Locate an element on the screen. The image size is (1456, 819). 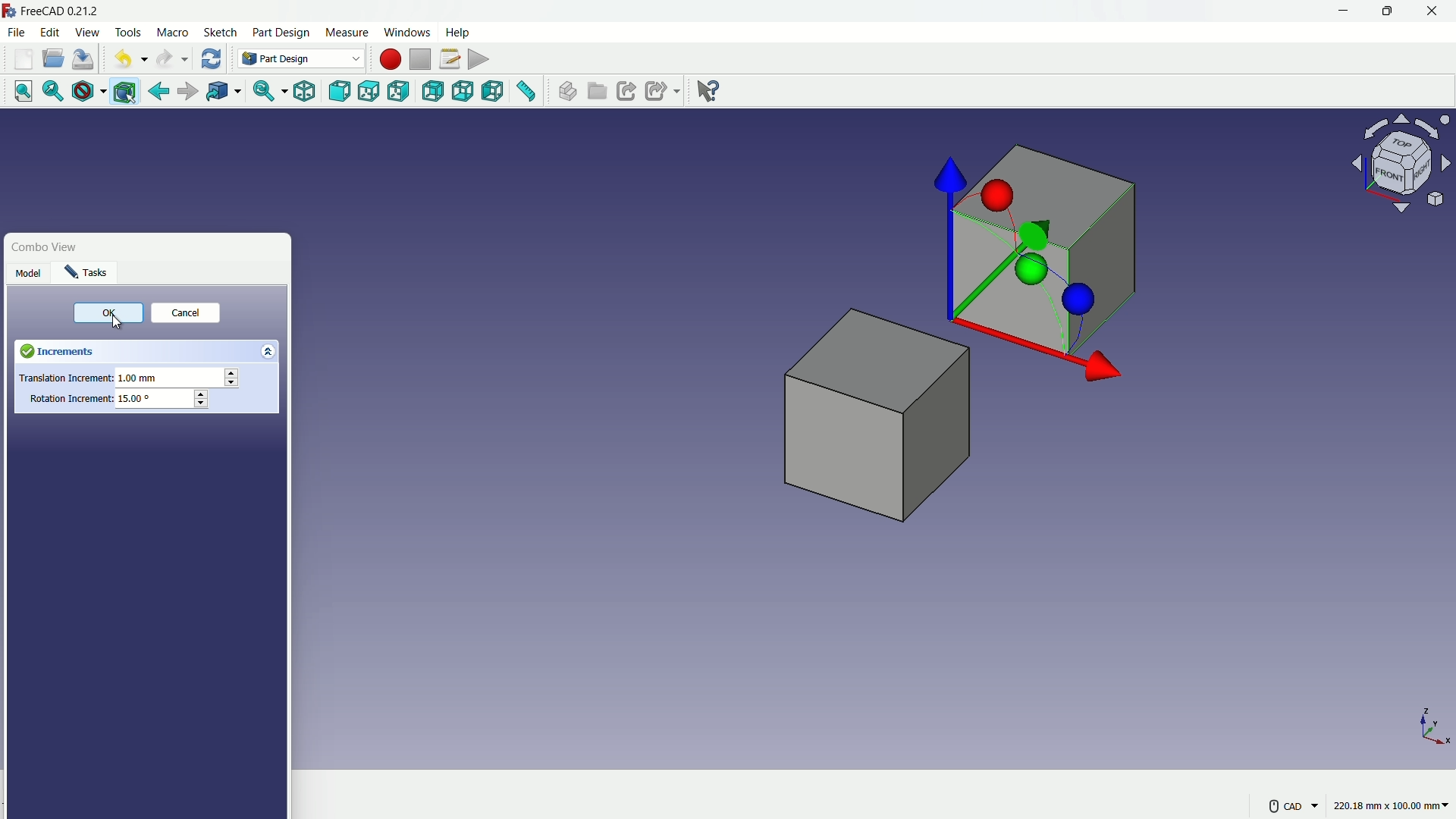
bounding box is located at coordinates (127, 93).